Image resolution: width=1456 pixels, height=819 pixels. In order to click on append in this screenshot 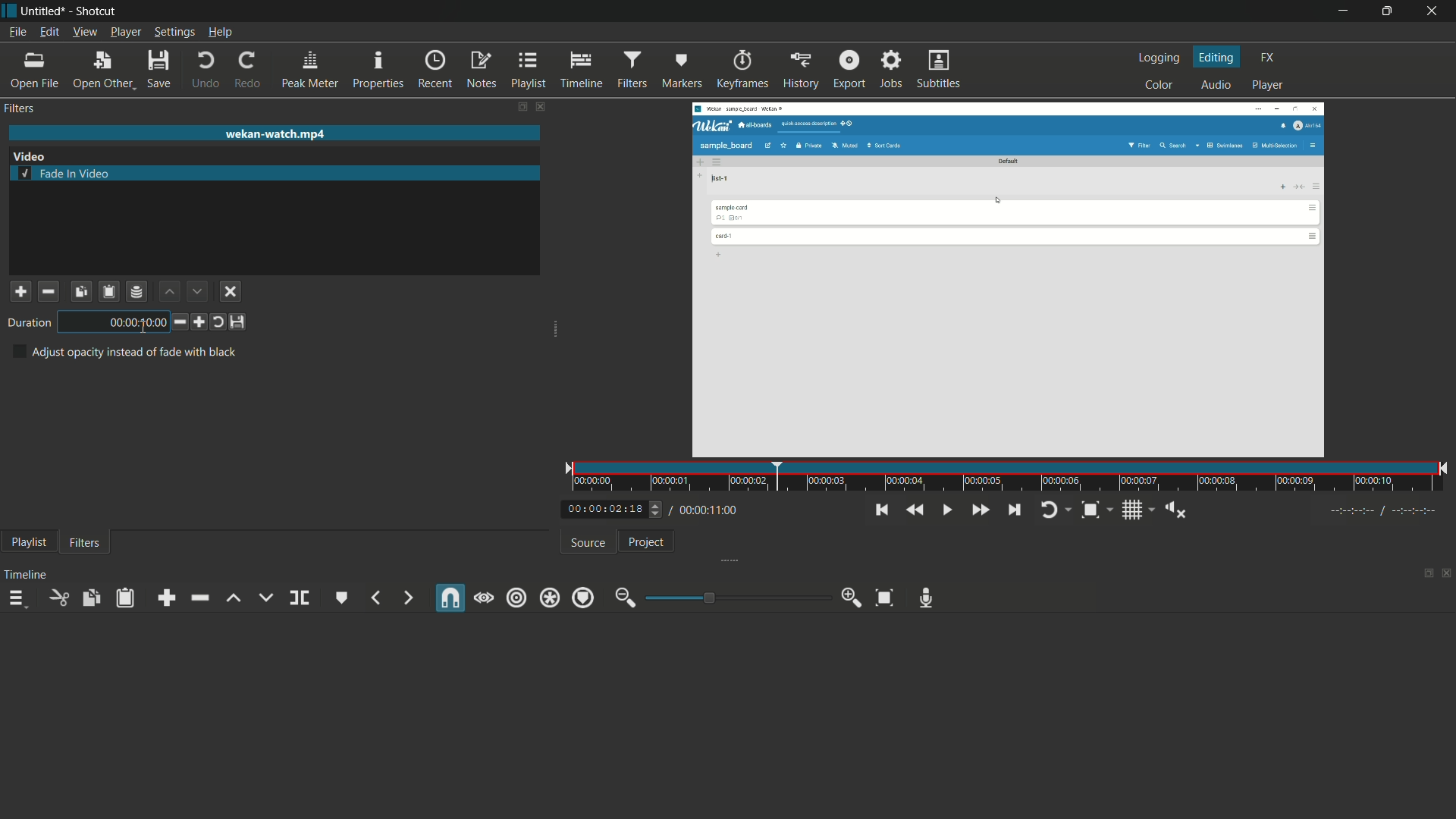, I will do `click(166, 598)`.